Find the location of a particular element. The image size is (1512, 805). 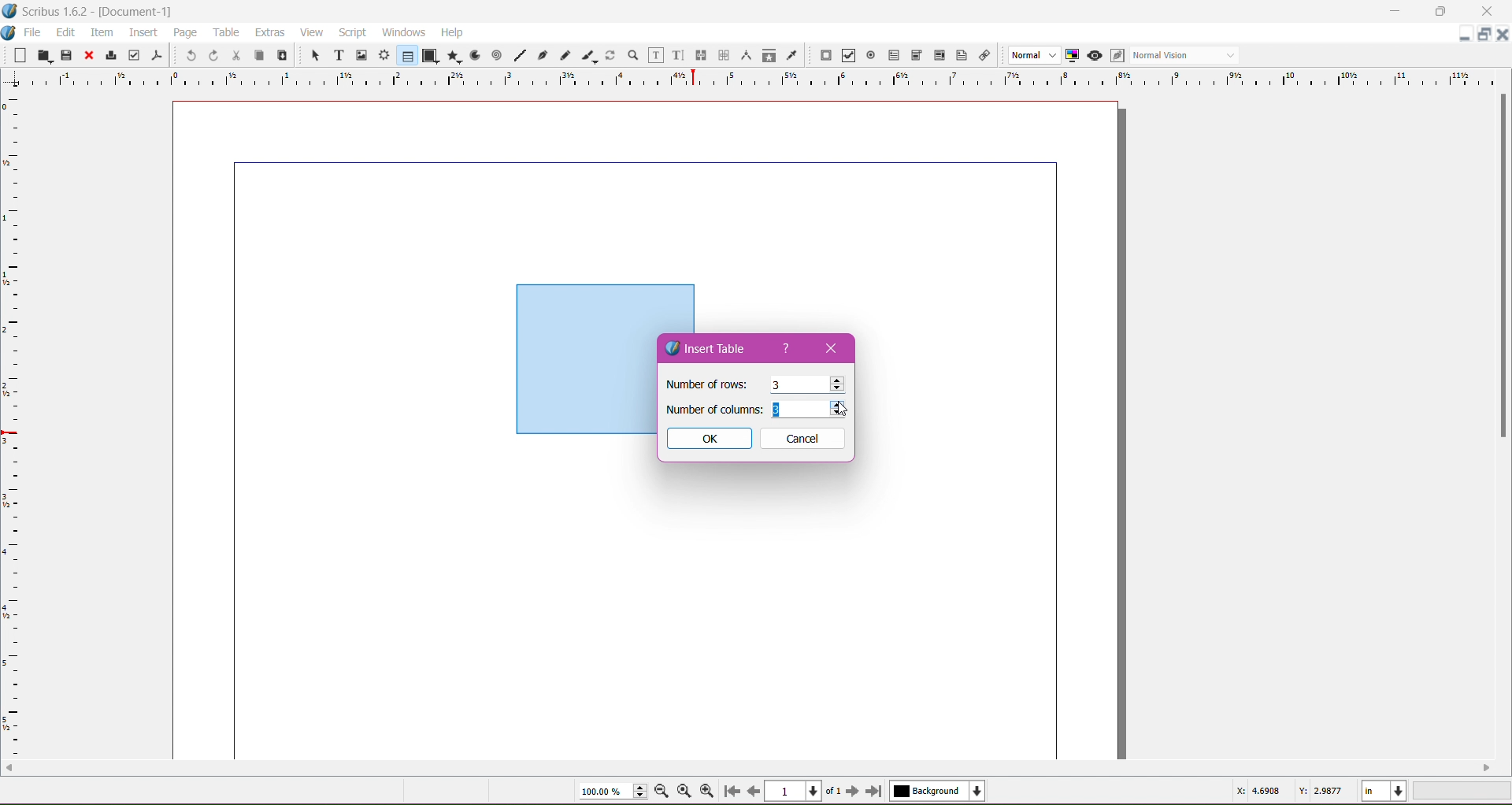

up/down is located at coordinates (839, 410).